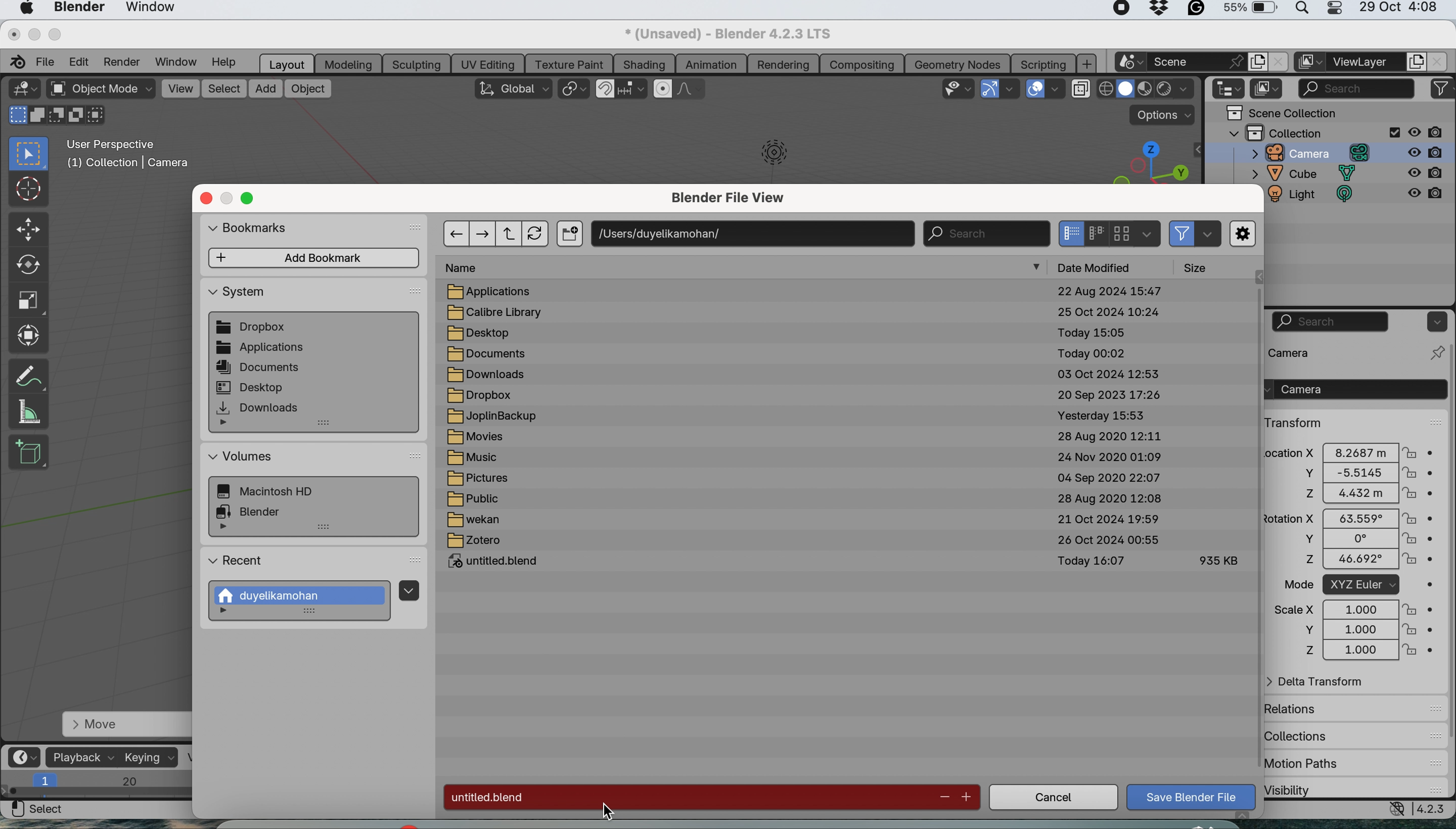 Image resolution: width=1456 pixels, height=829 pixels. What do you see at coordinates (1196, 11) in the screenshot?
I see `grammarly` at bounding box center [1196, 11].